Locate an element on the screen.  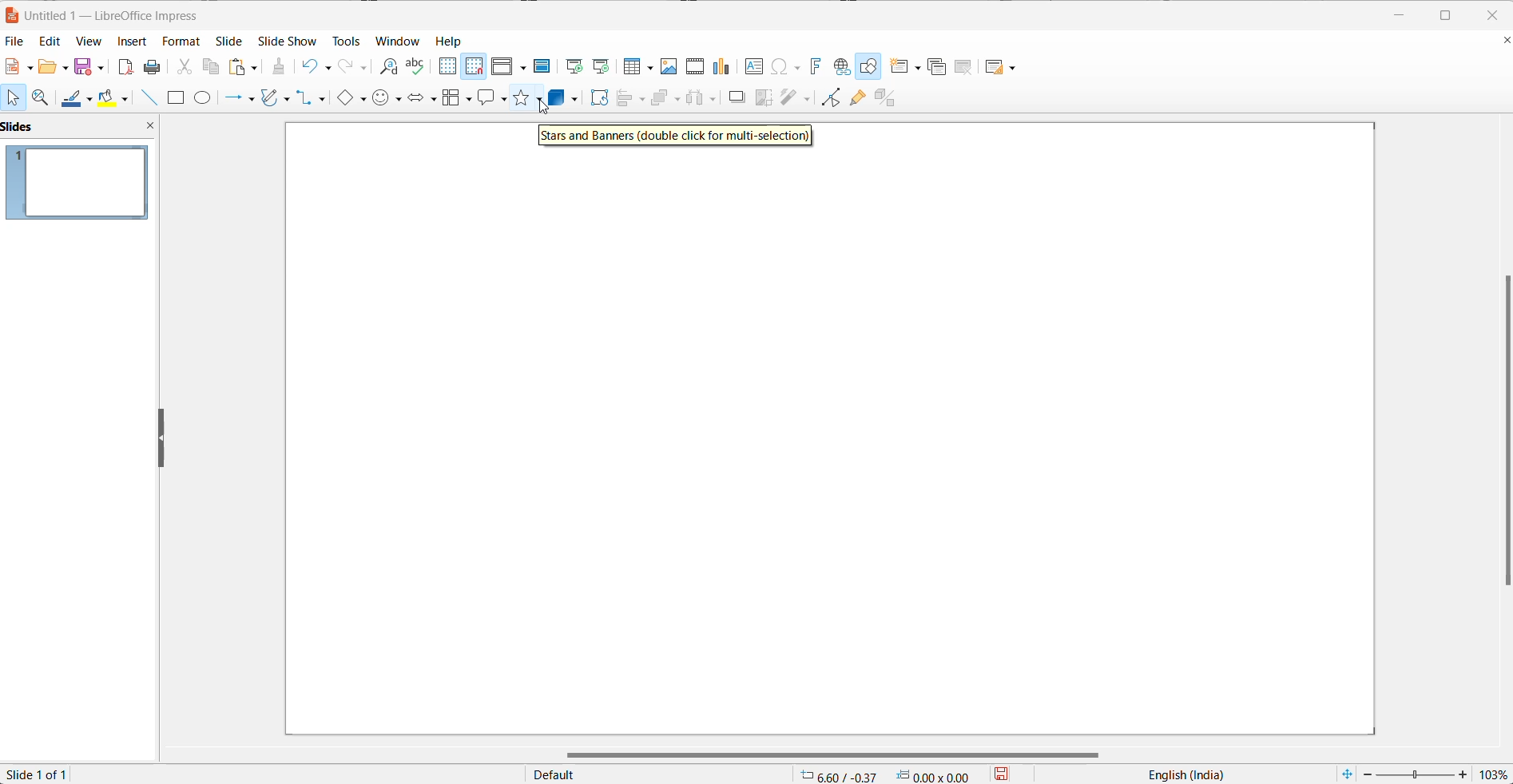
arrange is located at coordinates (665, 98).